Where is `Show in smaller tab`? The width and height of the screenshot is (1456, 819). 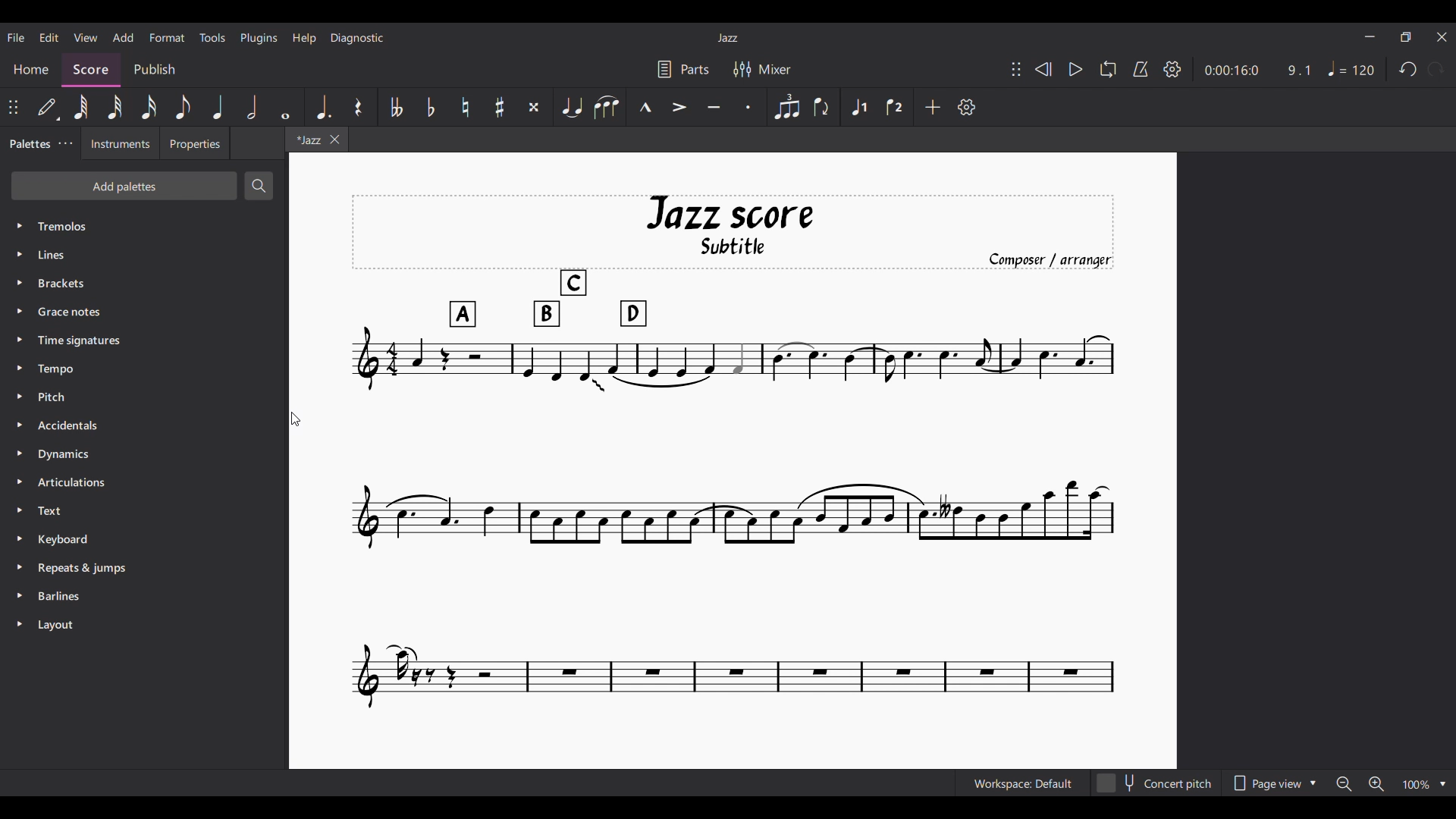 Show in smaller tab is located at coordinates (1406, 37).